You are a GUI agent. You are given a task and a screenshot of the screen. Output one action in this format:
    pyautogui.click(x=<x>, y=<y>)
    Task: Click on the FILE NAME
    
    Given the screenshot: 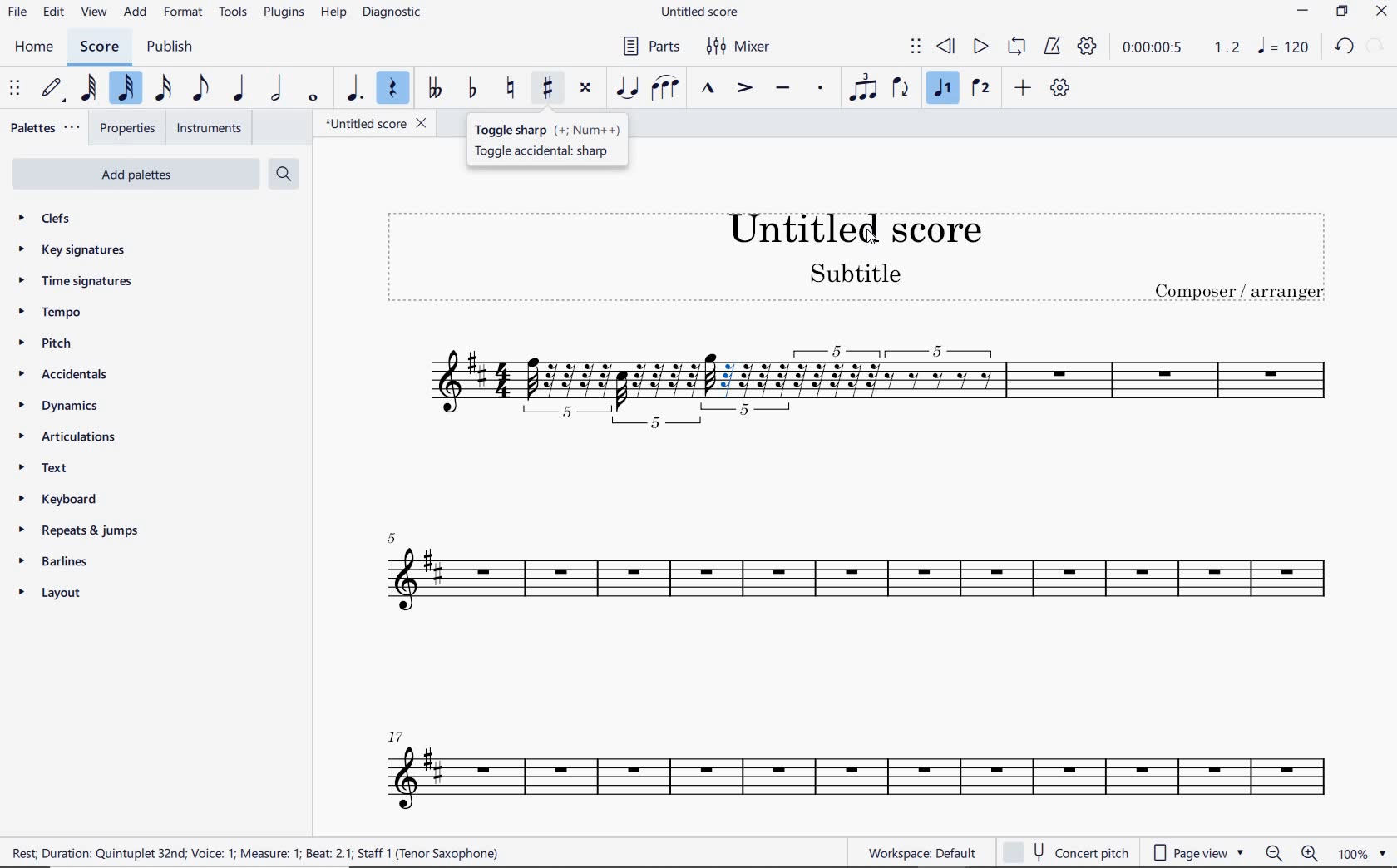 What is the action you would take?
    pyautogui.click(x=703, y=12)
    